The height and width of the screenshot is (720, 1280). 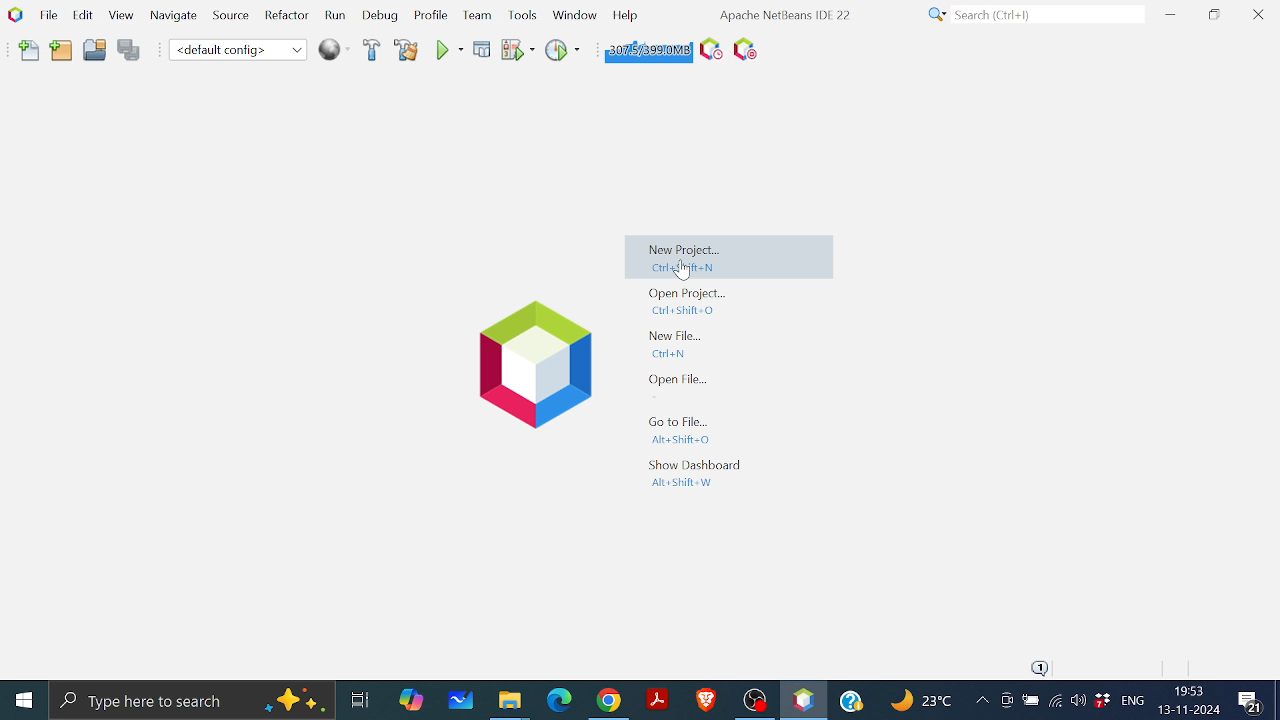 What do you see at coordinates (510, 702) in the screenshot?
I see `Files` at bounding box center [510, 702].